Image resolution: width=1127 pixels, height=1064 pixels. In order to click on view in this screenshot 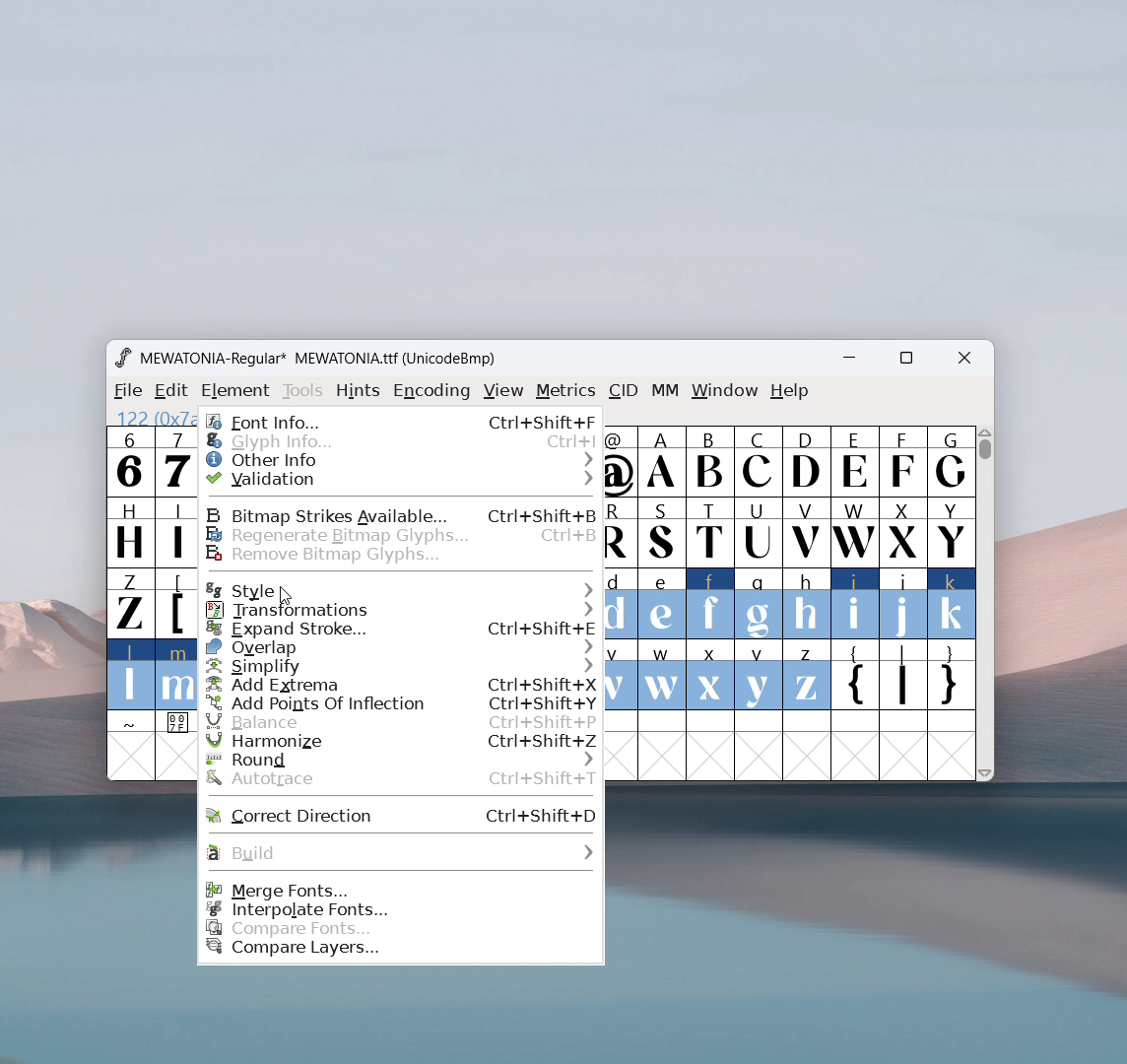, I will do `click(503, 391)`.